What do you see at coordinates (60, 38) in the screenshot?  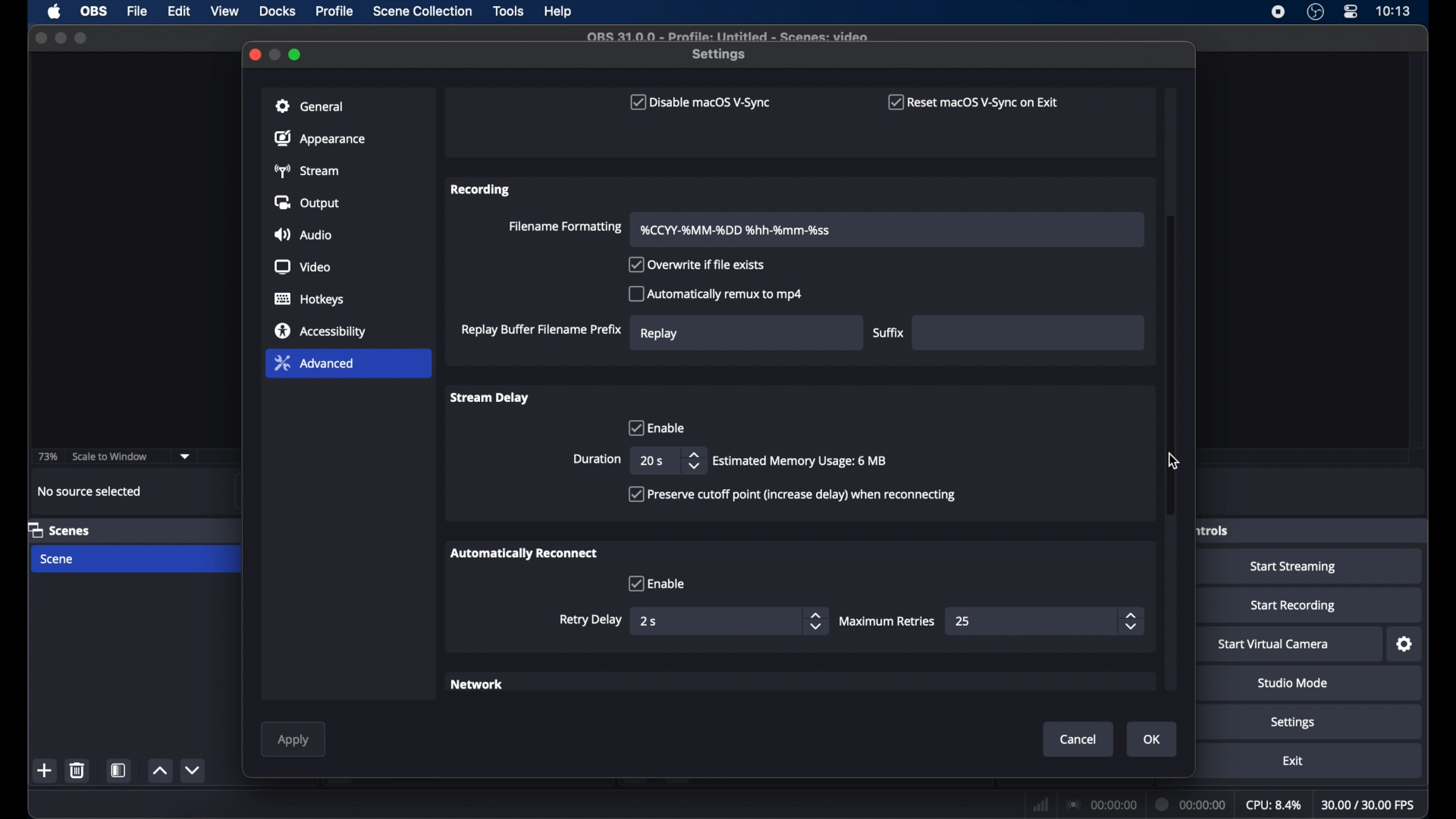 I see `minimize` at bounding box center [60, 38].